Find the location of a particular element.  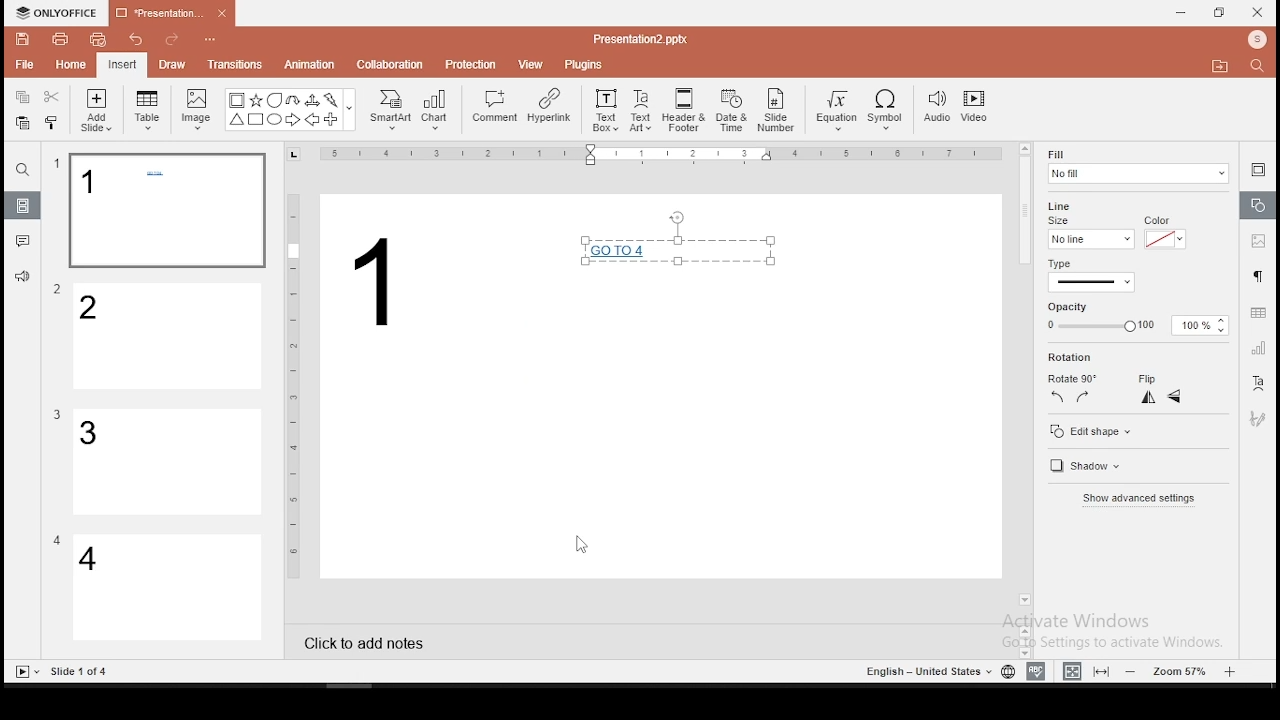

Bordered Box is located at coordinates (237, 100).